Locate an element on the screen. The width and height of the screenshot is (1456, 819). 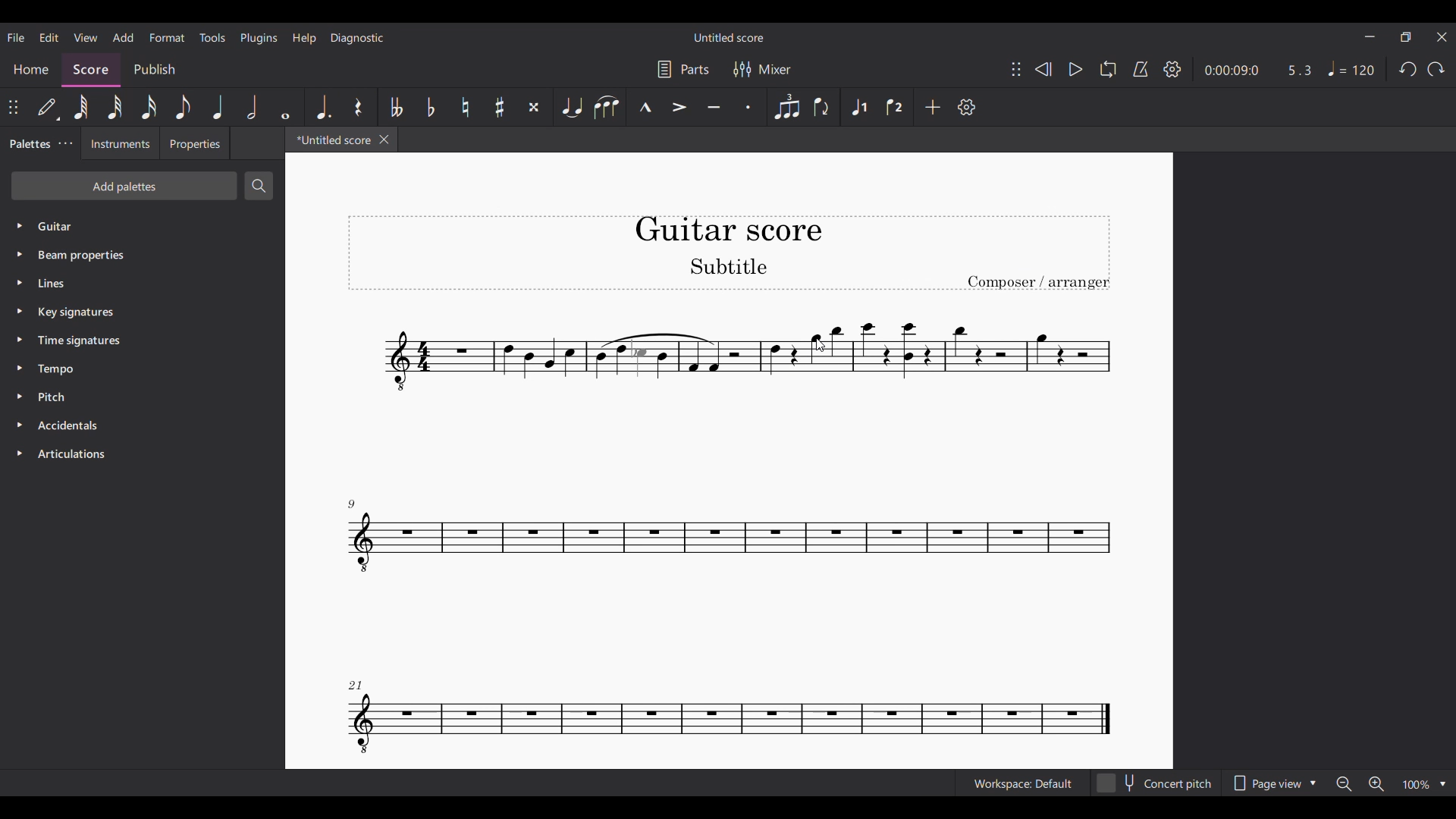
16th note is located at coordinates (149, 107).